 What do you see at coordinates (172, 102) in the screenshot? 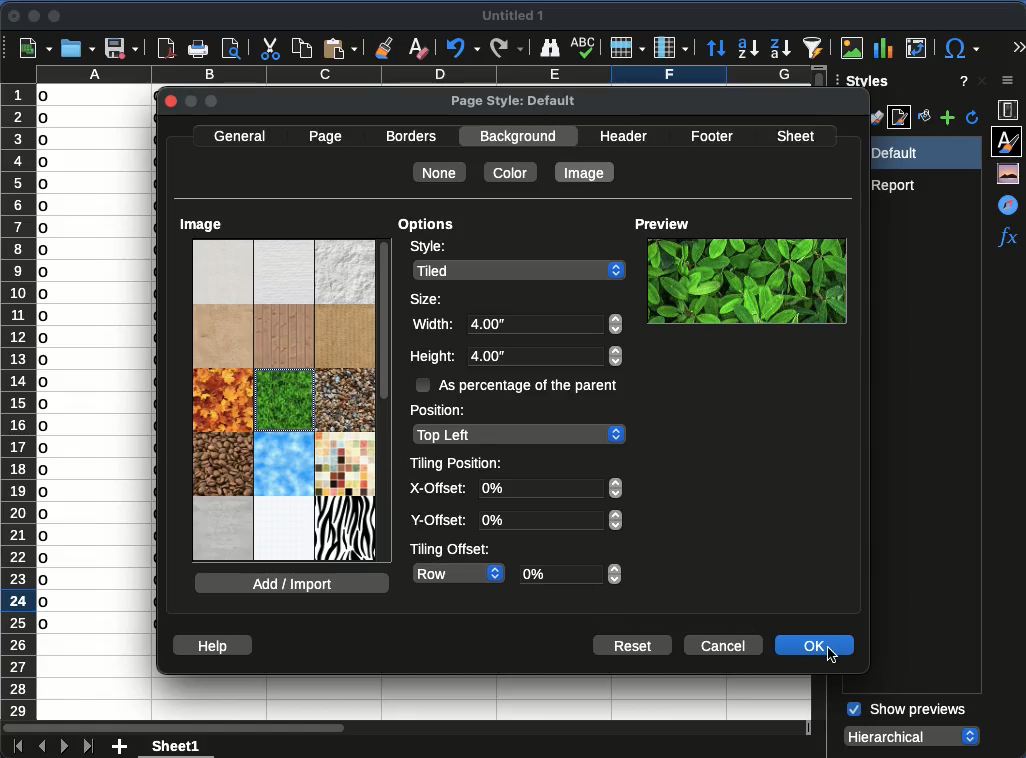
I see `close` at bounding box center [172, 102].